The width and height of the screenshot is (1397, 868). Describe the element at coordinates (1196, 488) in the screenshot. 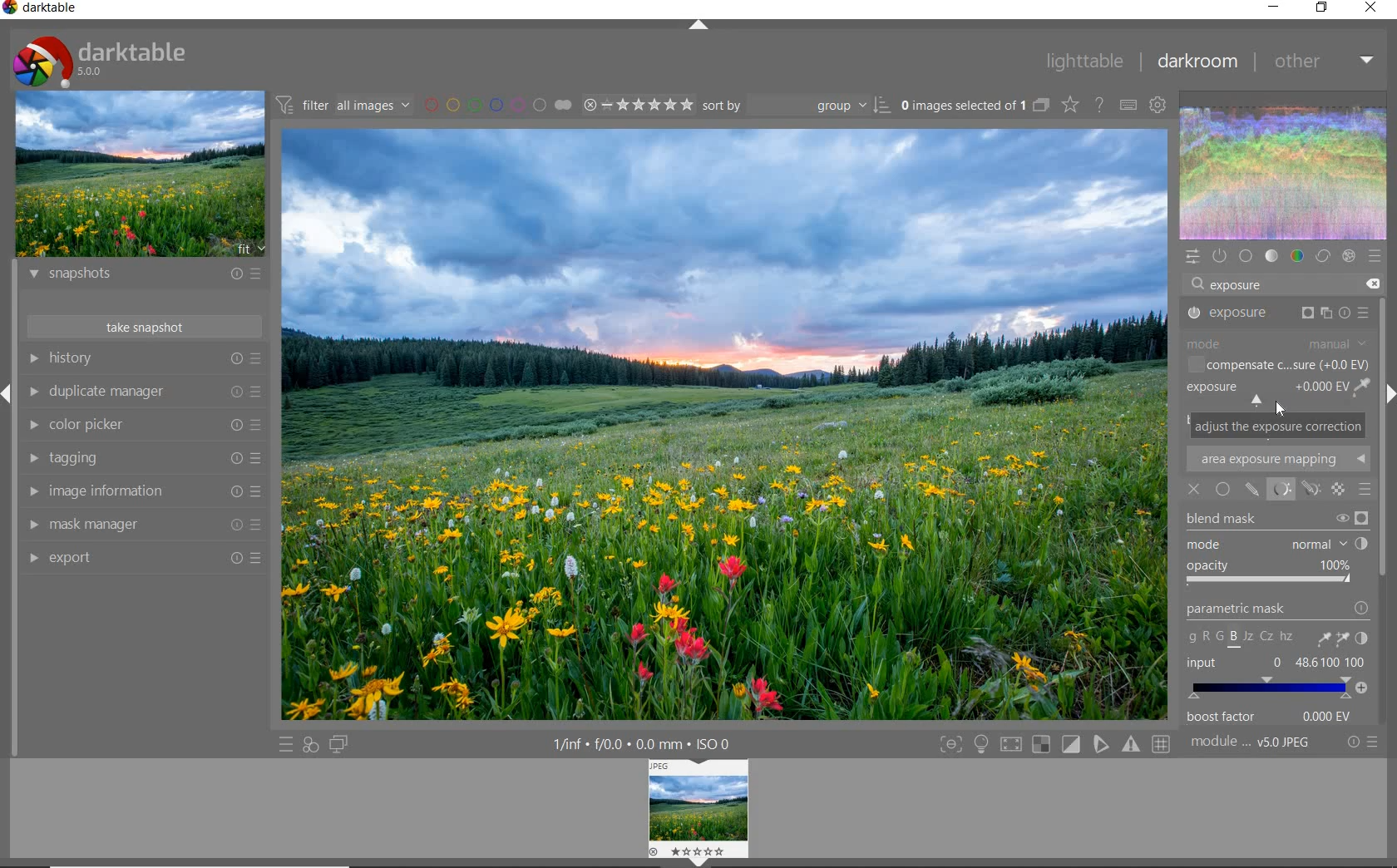

I see `OFF` at that location.